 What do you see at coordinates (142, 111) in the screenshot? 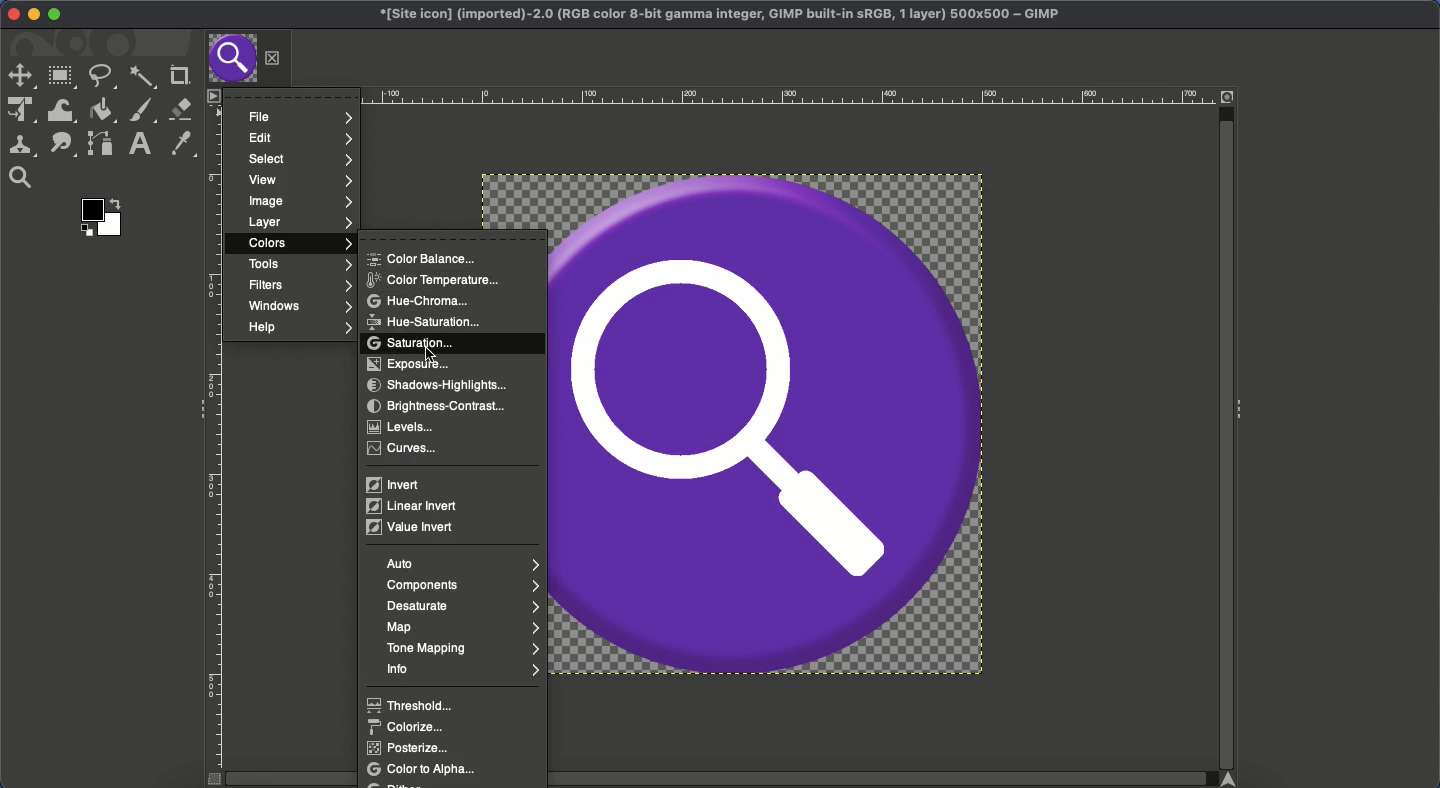
I see `Paint` at bounding box center [142, 111].